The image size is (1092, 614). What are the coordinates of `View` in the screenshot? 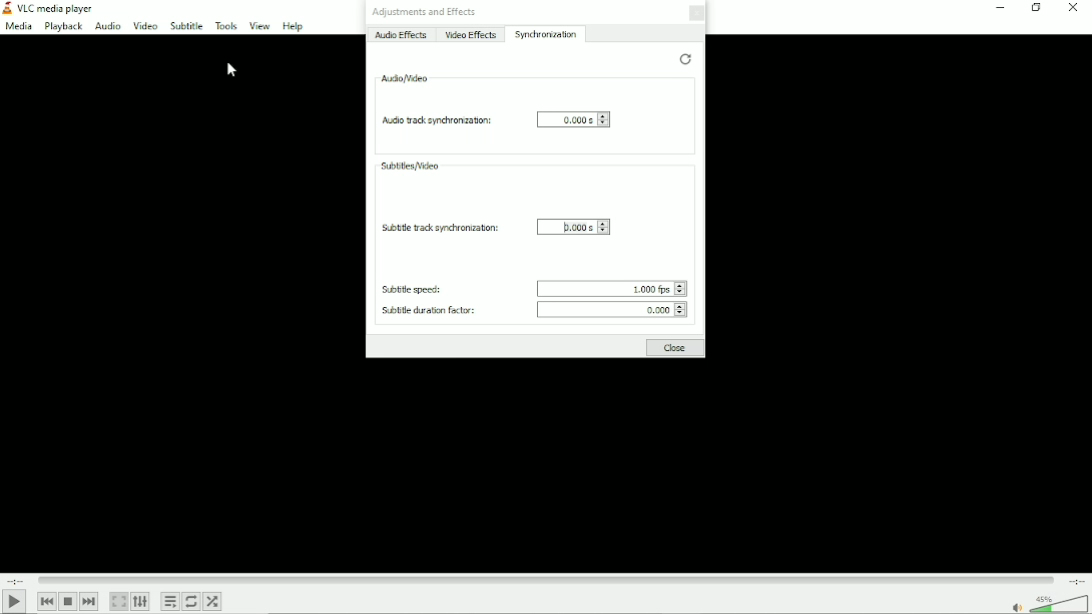 It's located at (261, 26).